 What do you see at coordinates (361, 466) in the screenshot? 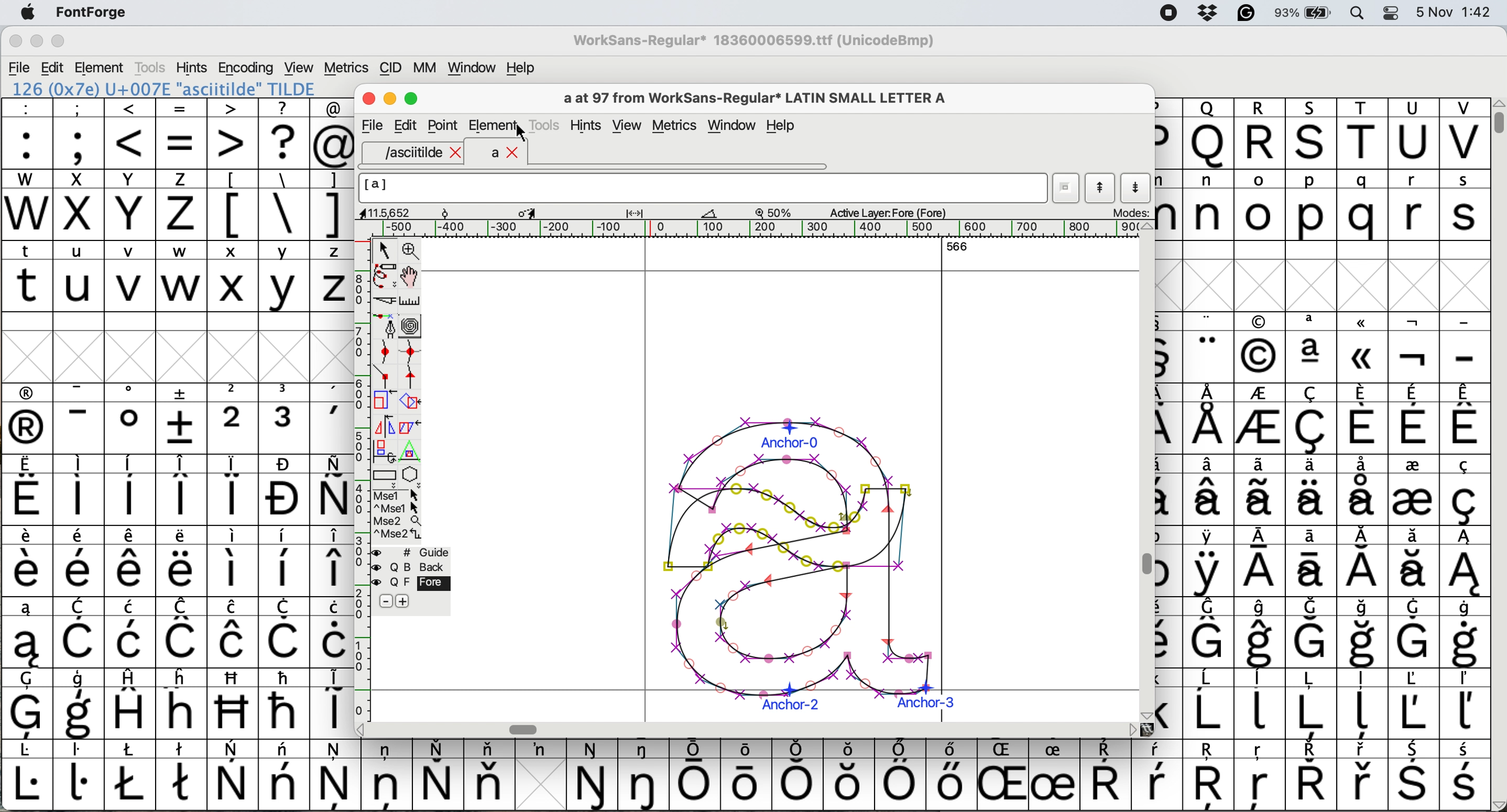
I see `vertical scale` at bounding box center [361, 466].